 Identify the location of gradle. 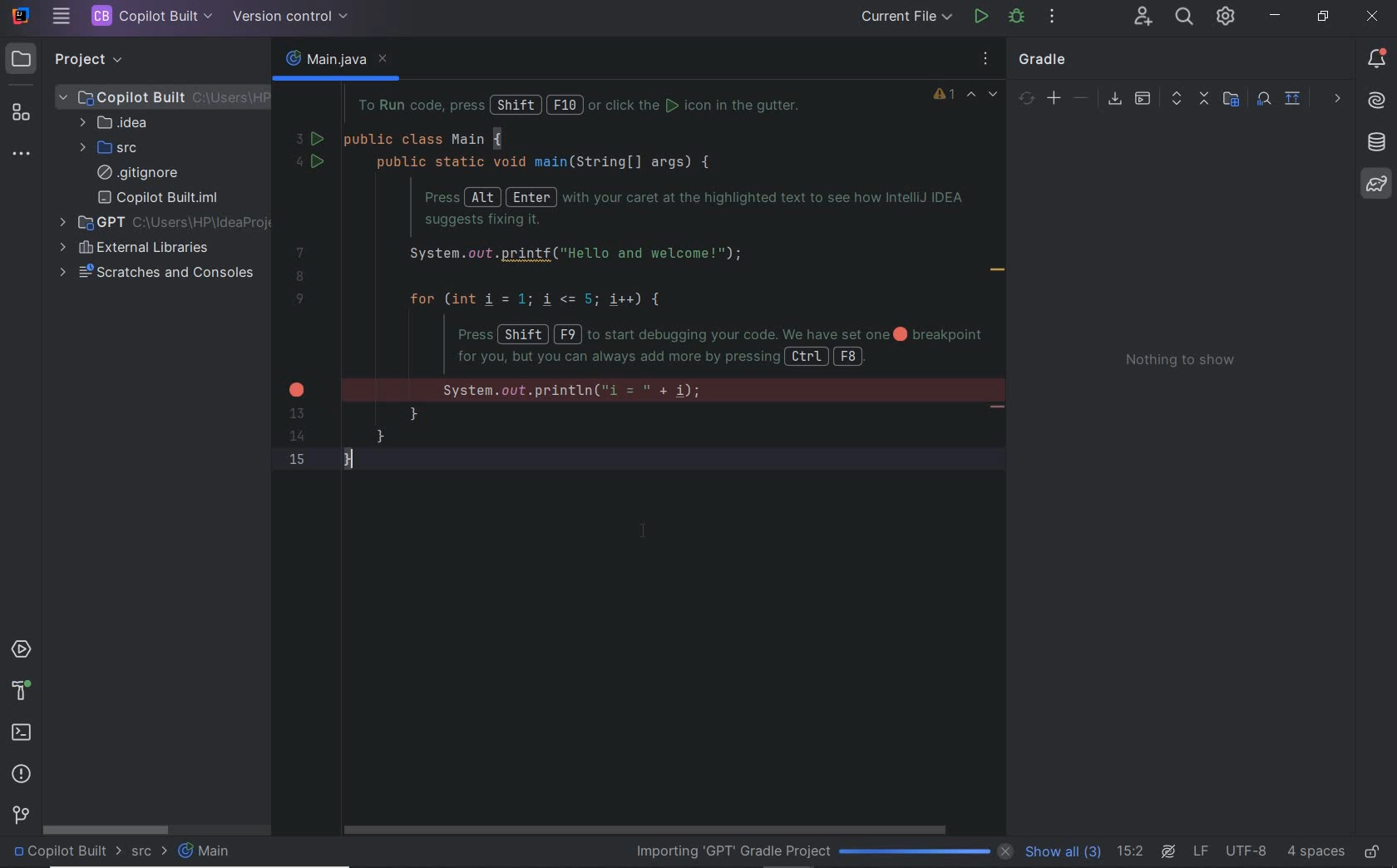
(1043, 58).